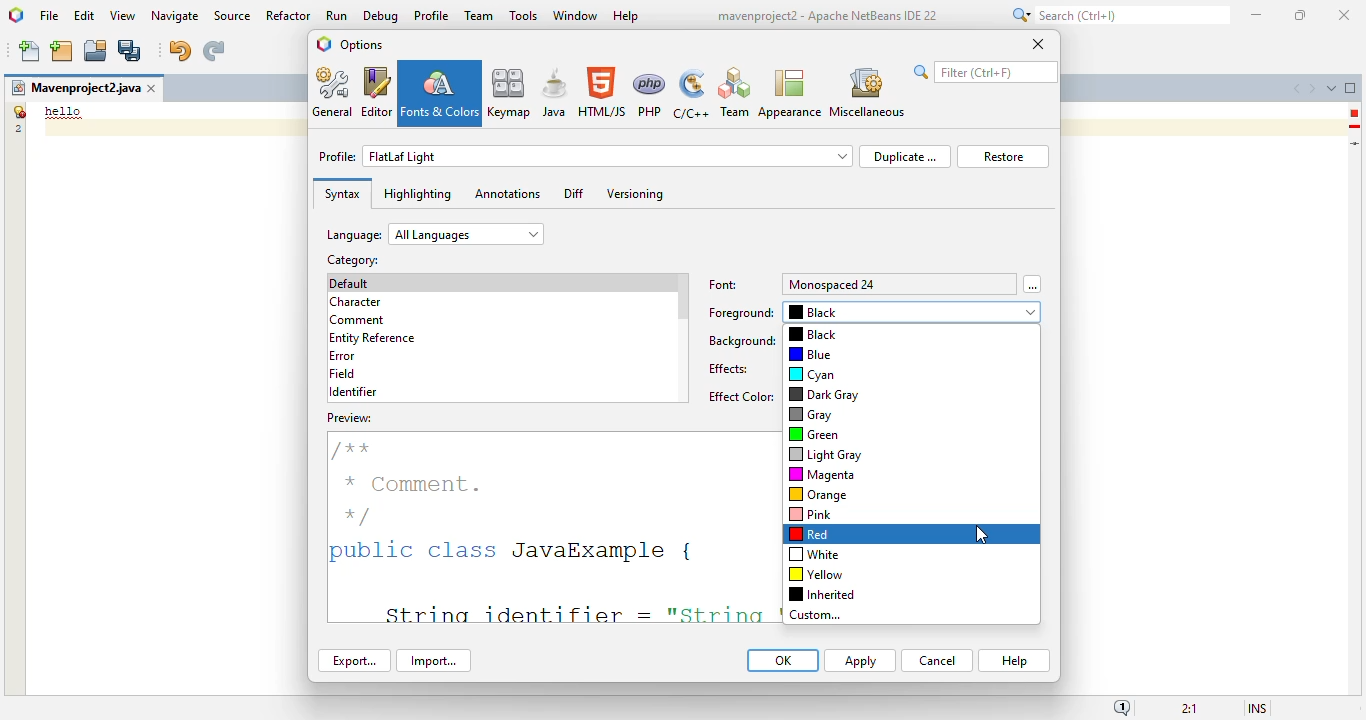  What do you see at coordinates (546, 517) in the screenshot?
I see `/**  * Comment,  */ public class JavaExample {              String identifier - "string" + + '-' + 1.2;  }` at bounding box center [546, 517].